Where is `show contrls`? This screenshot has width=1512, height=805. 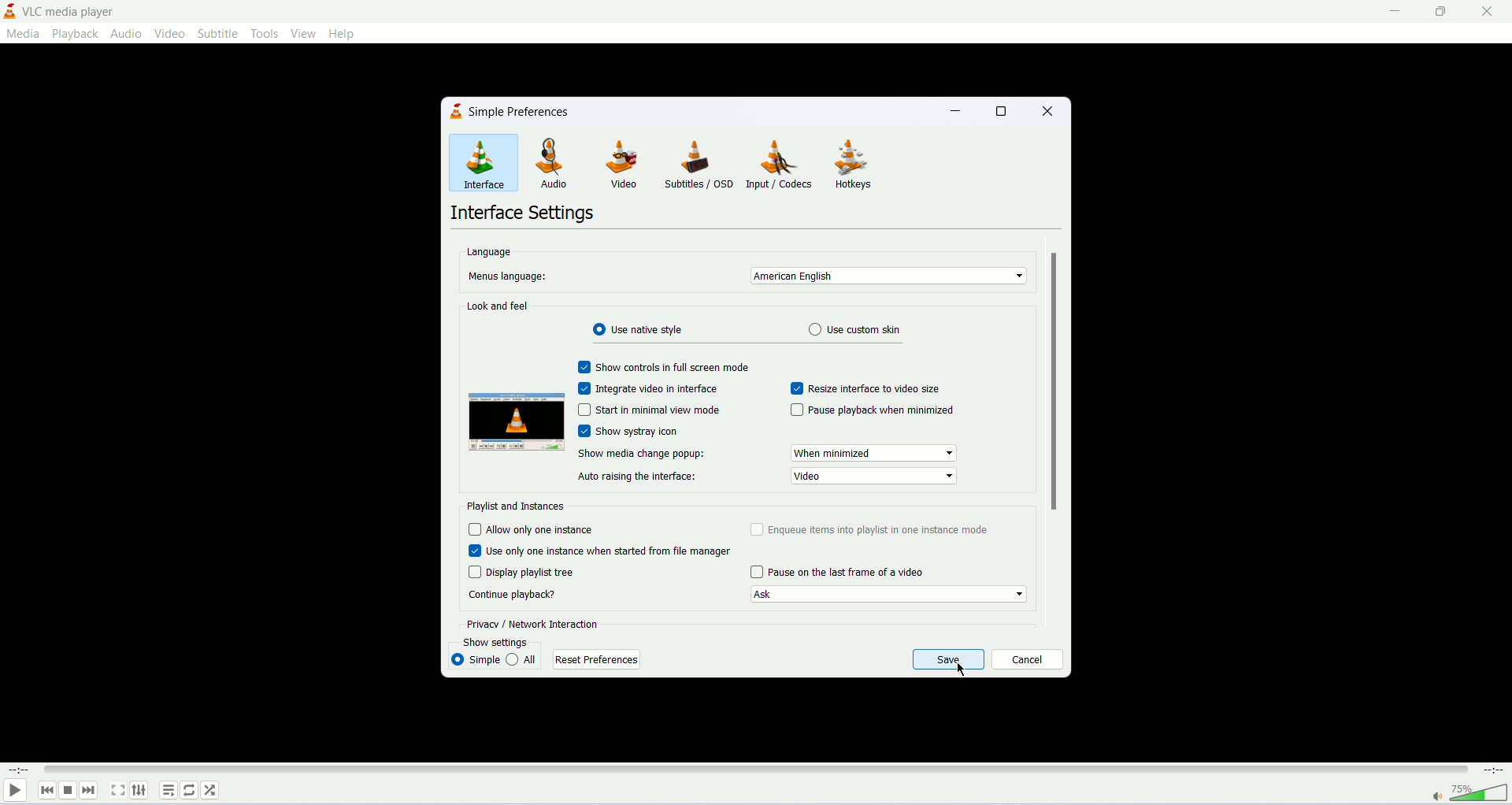 show contrls is located at coordinates (662, 365).